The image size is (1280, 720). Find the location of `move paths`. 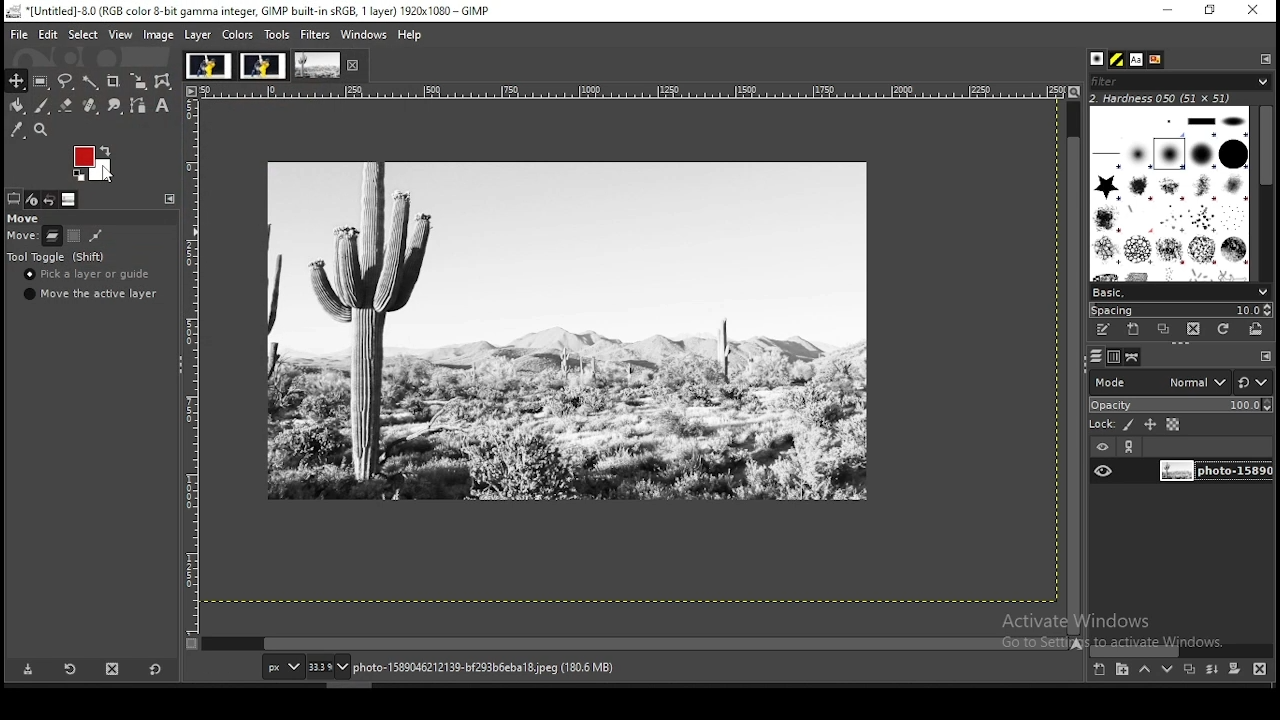

move paths is located at coordinates (95, 236).